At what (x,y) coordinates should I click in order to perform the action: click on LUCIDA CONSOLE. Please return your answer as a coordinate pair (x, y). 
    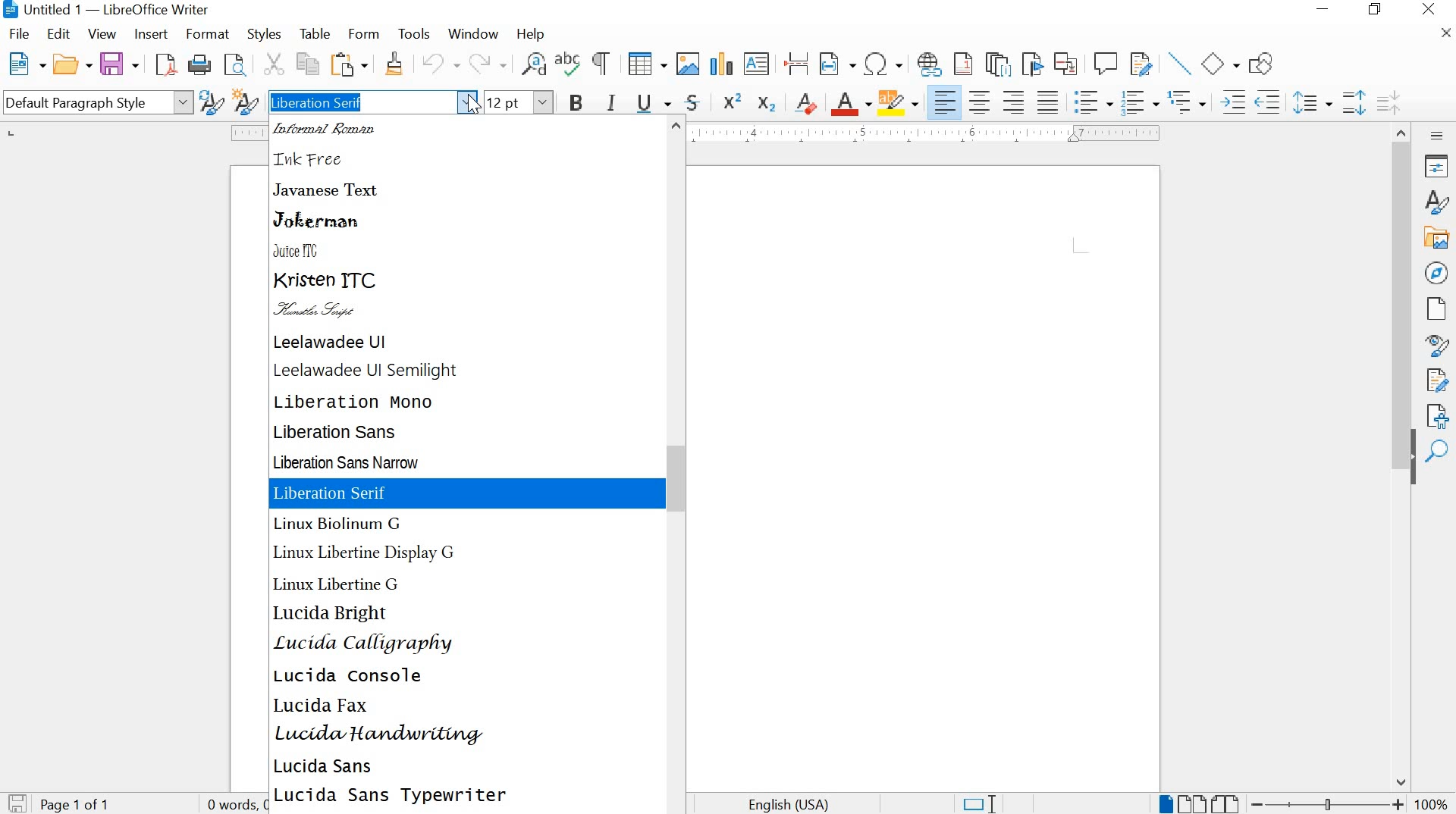
    Looking at the image, I should click on (348, 675).